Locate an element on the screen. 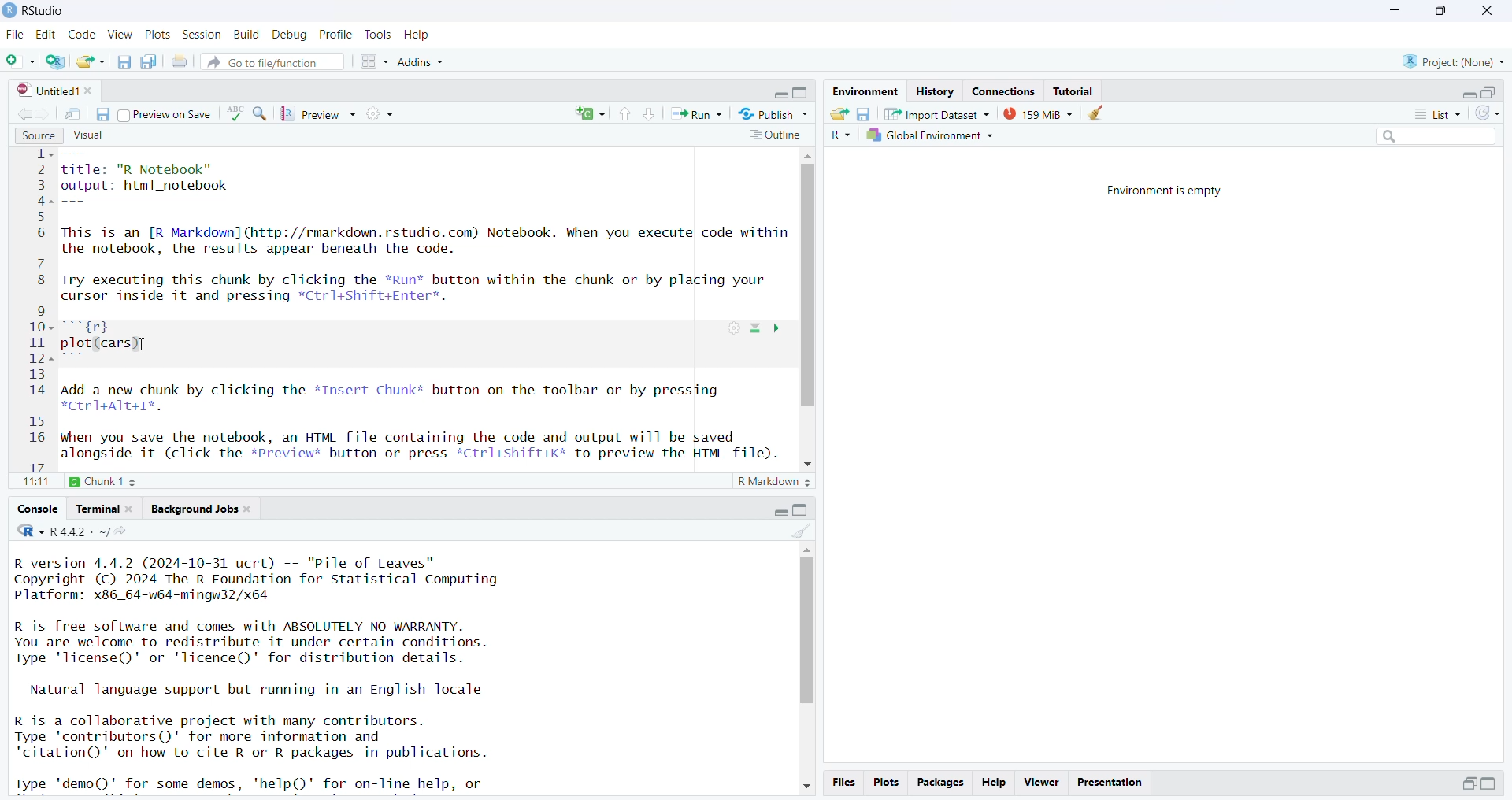 Image resolution: width=1512 pixels, height=800 pixels. publish is located at coordinates (772, 113).